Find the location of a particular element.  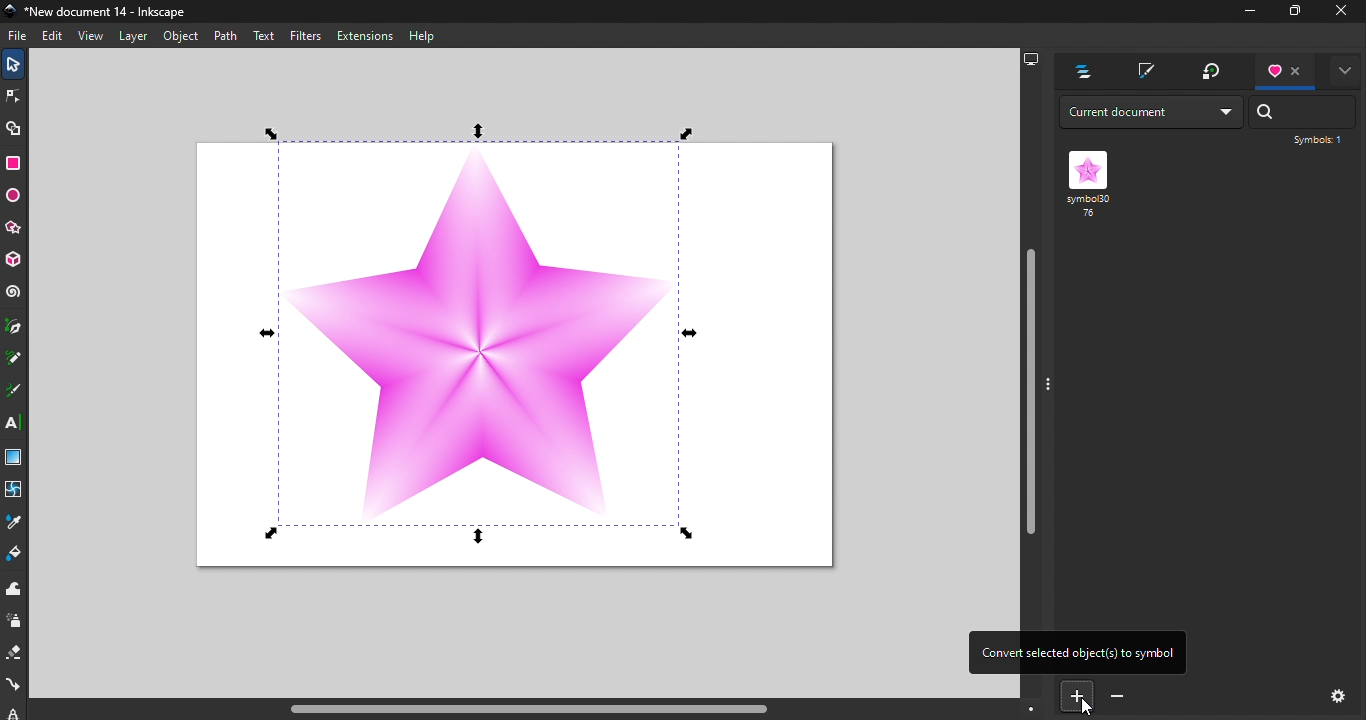

Node tool is located at coordinates (13, 96).